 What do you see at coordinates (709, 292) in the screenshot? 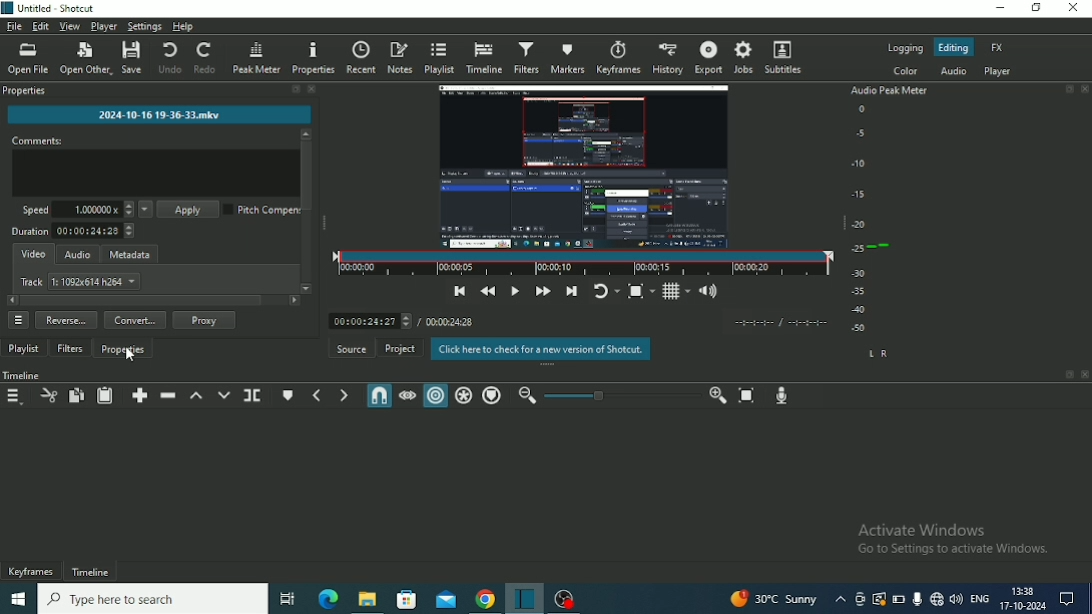
I see `Show the volume control` at bounding box center [709, 292].